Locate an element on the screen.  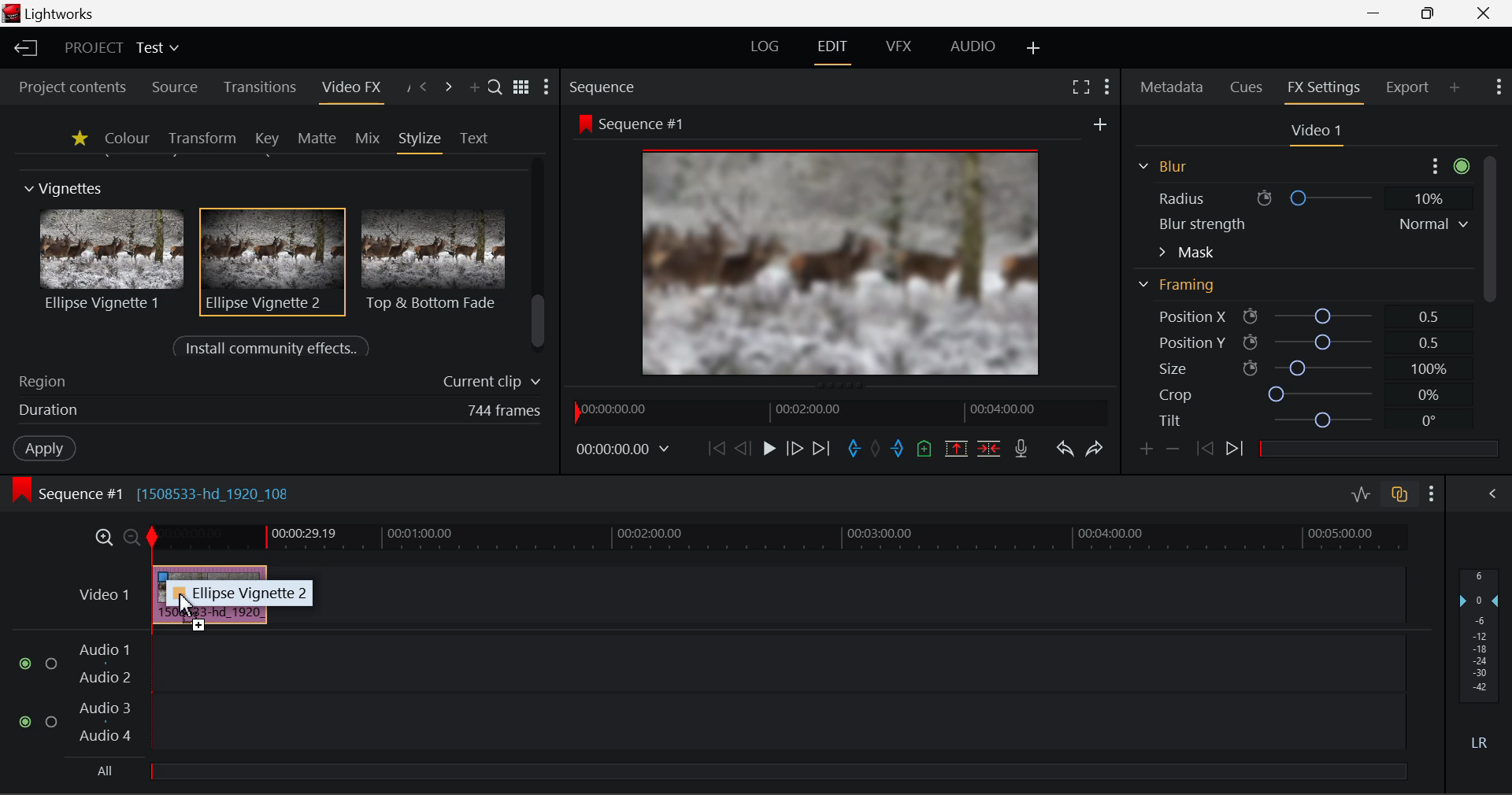
Add Panel is located at coordinates (474, 89).